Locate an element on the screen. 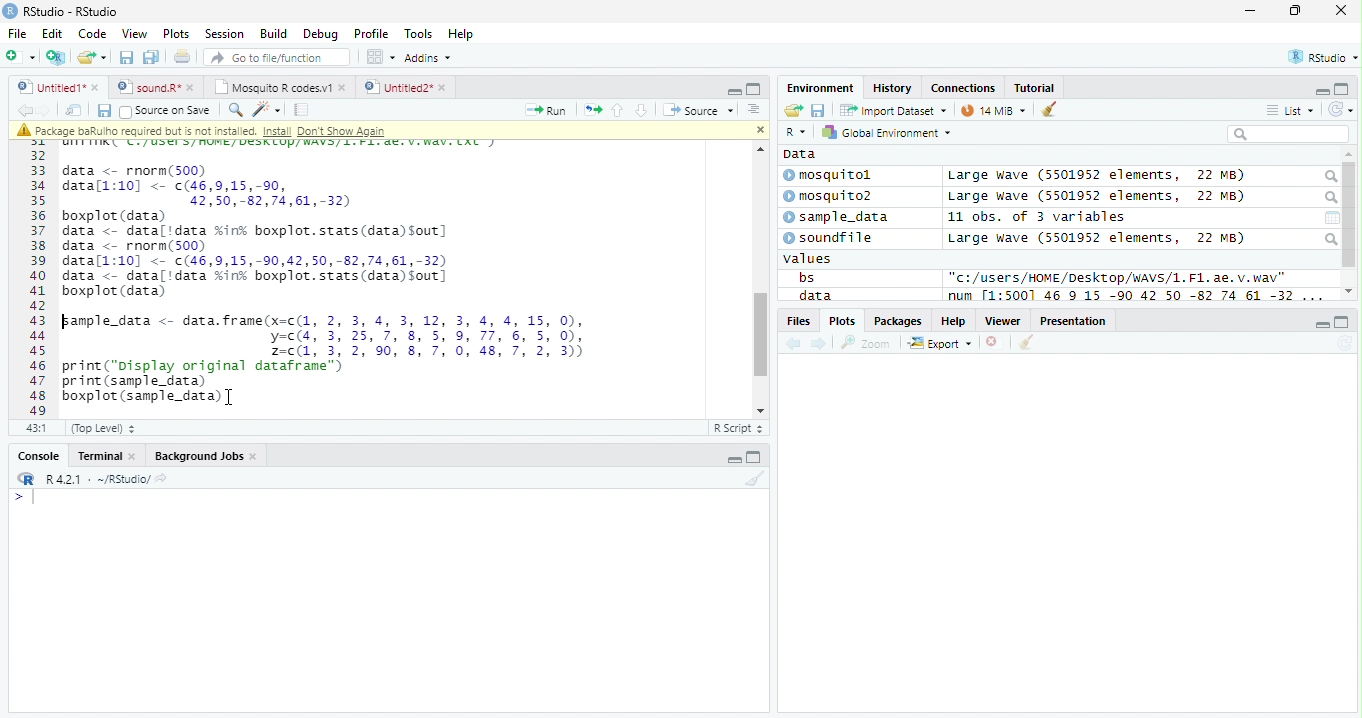 This screenshot has height=718, width=1362. Show in new window is located at coordinates (74, 111).